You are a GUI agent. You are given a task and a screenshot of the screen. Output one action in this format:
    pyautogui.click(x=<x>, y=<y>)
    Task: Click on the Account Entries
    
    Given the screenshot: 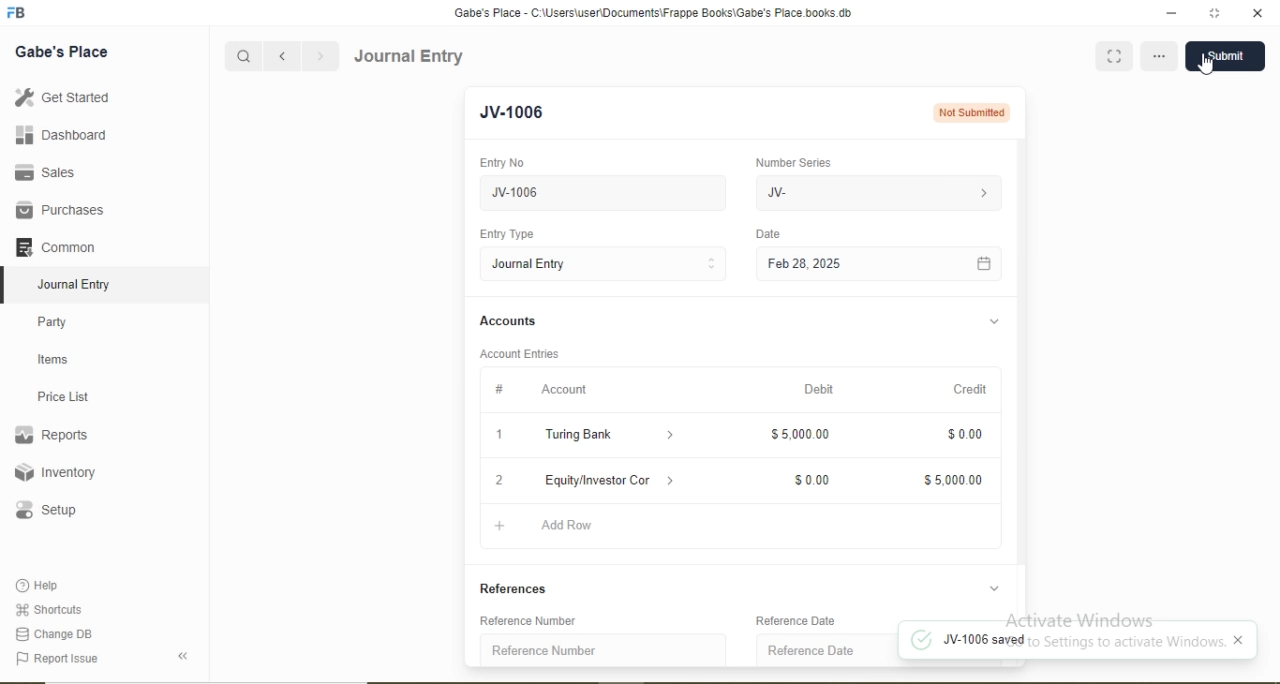 What is the action you would take?
    pyautogui.click(x=518, y=354)
    